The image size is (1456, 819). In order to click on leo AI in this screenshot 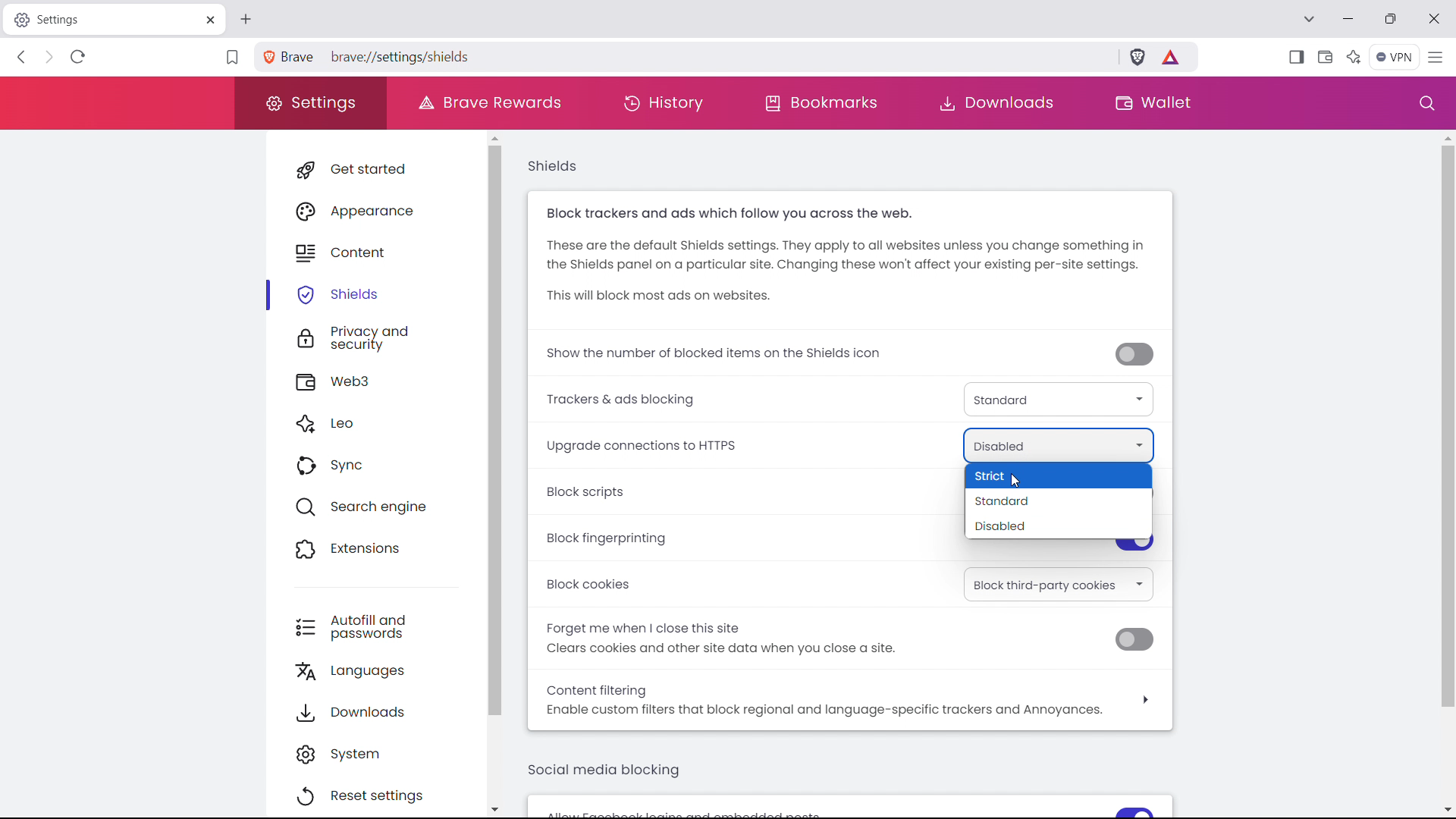, I will do `click(1354, 57)`.